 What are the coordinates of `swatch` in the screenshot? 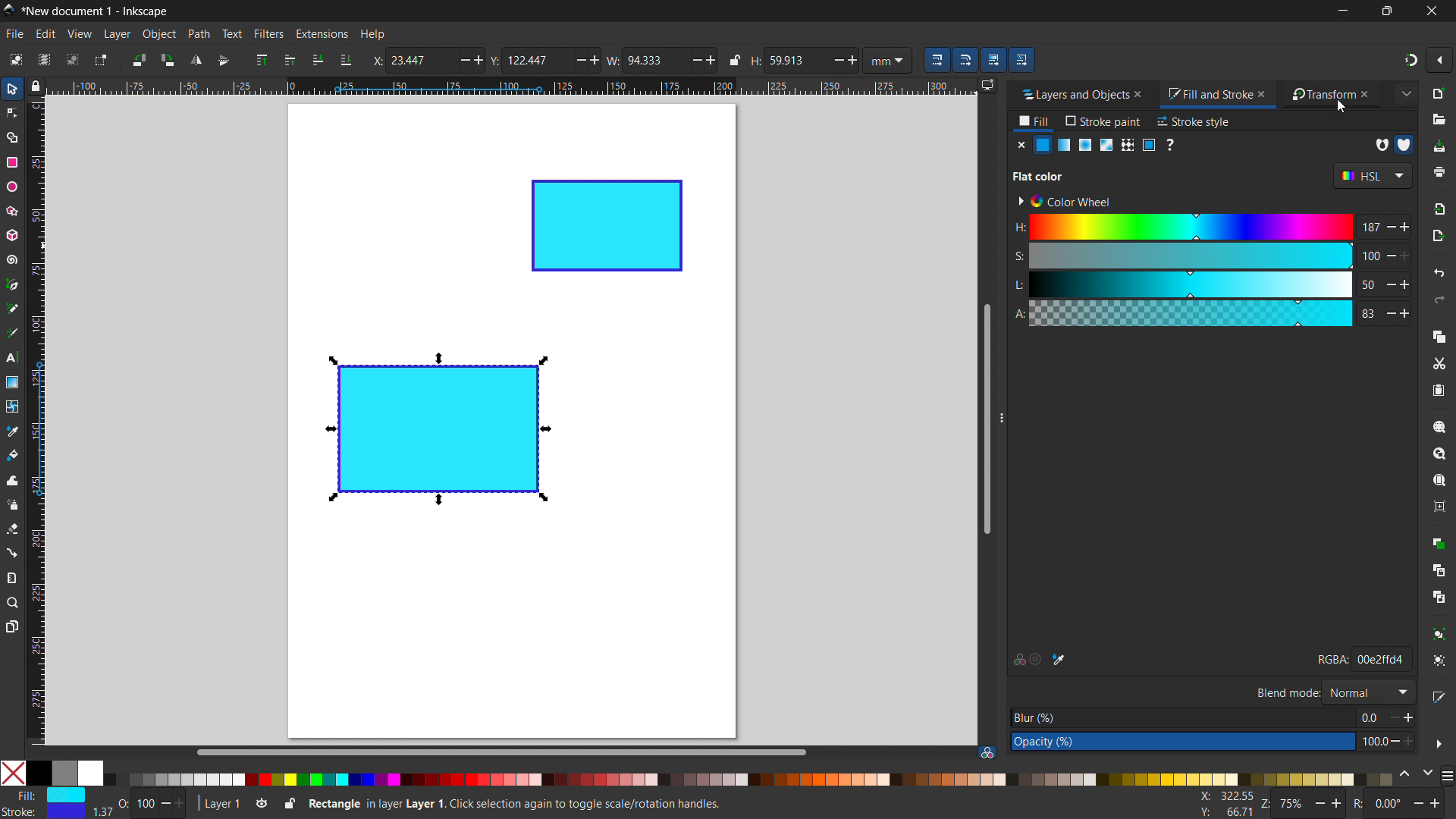 It's located at (1149, 145).